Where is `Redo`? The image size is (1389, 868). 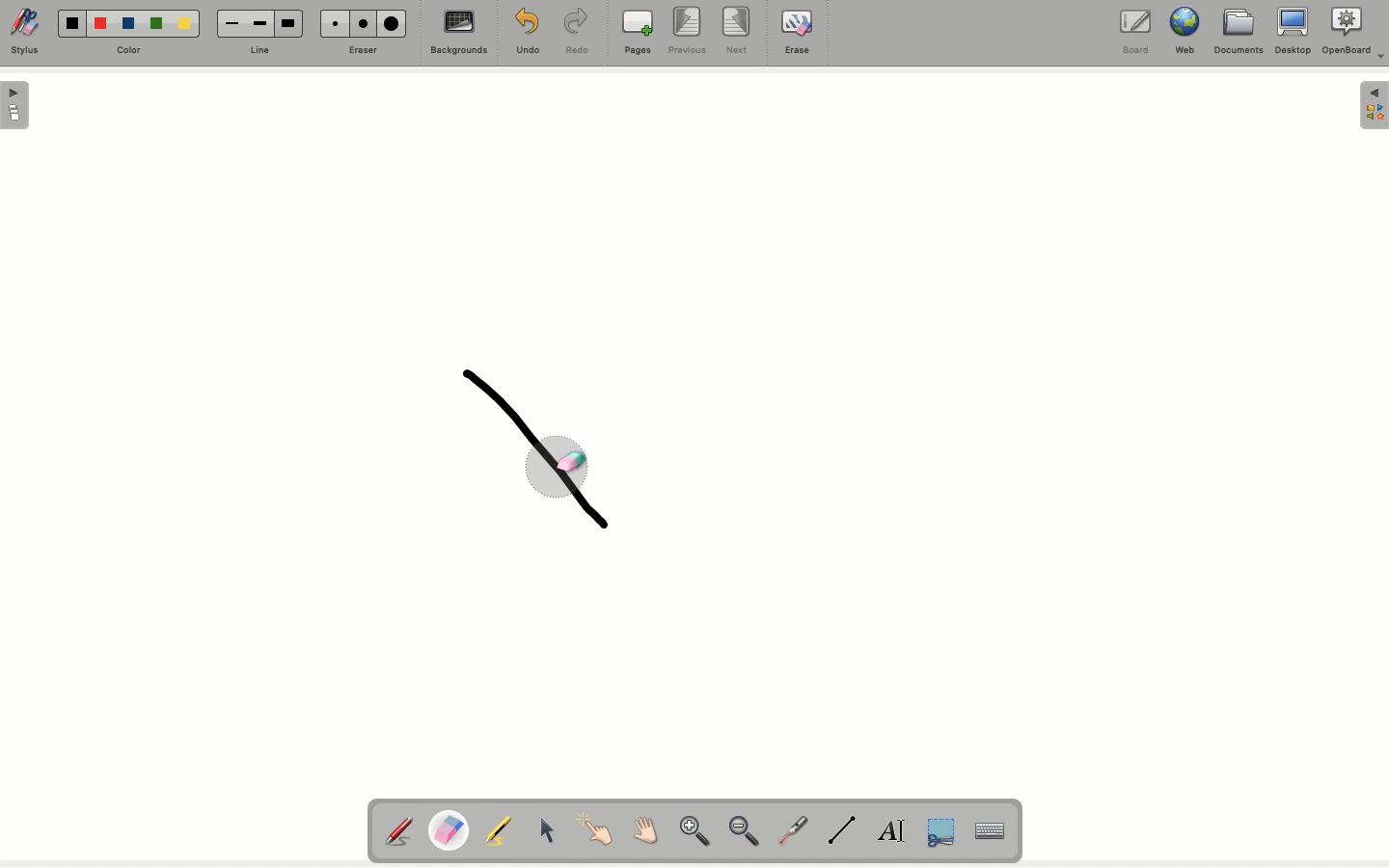
Redo is located at coordinates (579, 34).